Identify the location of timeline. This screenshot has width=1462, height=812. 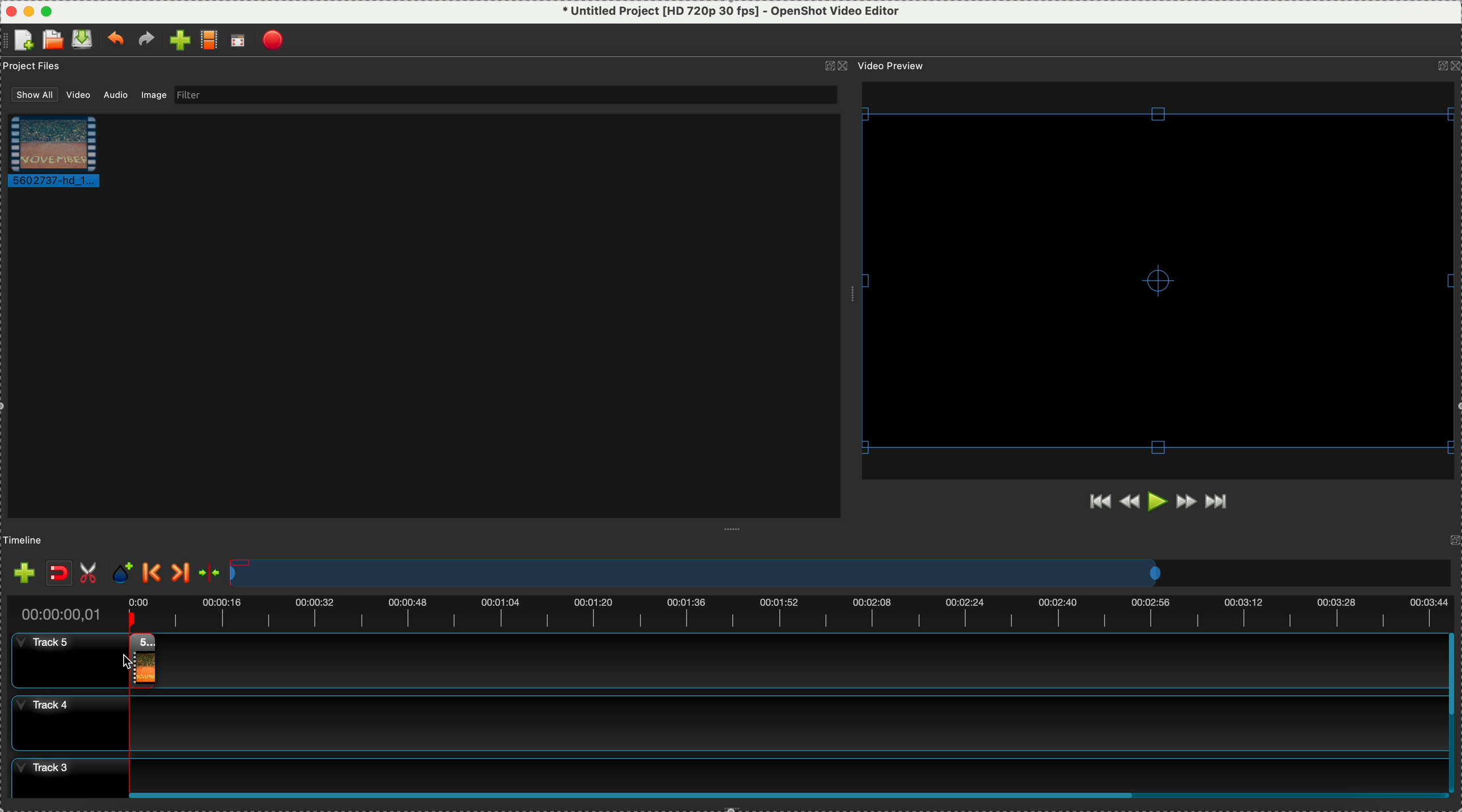
(839, 573).